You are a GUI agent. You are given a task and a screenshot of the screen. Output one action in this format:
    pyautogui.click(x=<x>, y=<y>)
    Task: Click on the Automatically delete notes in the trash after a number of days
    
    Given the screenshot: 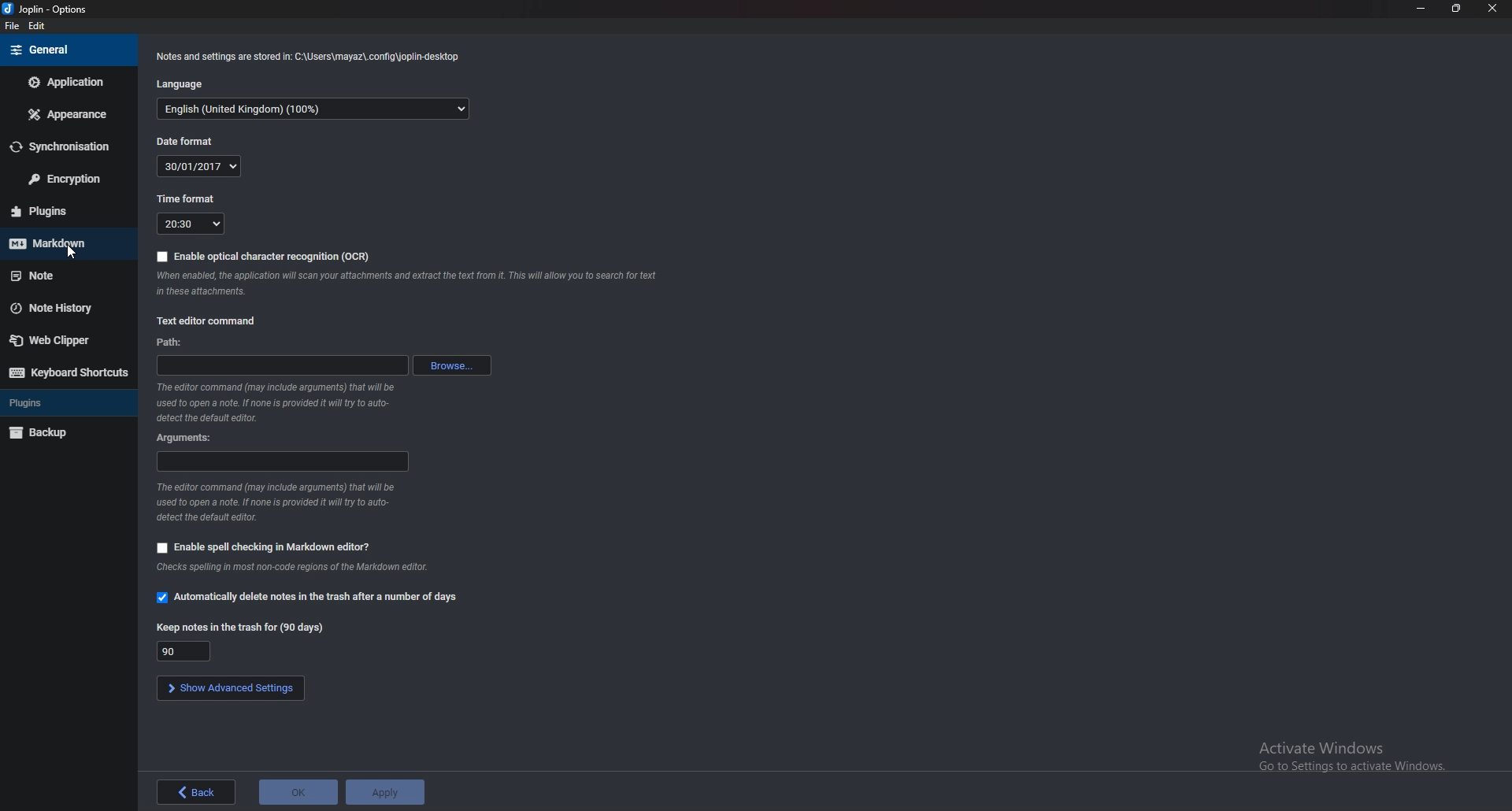 What is the action you would take?
    pyautogui.click(x=308, y=598)
    